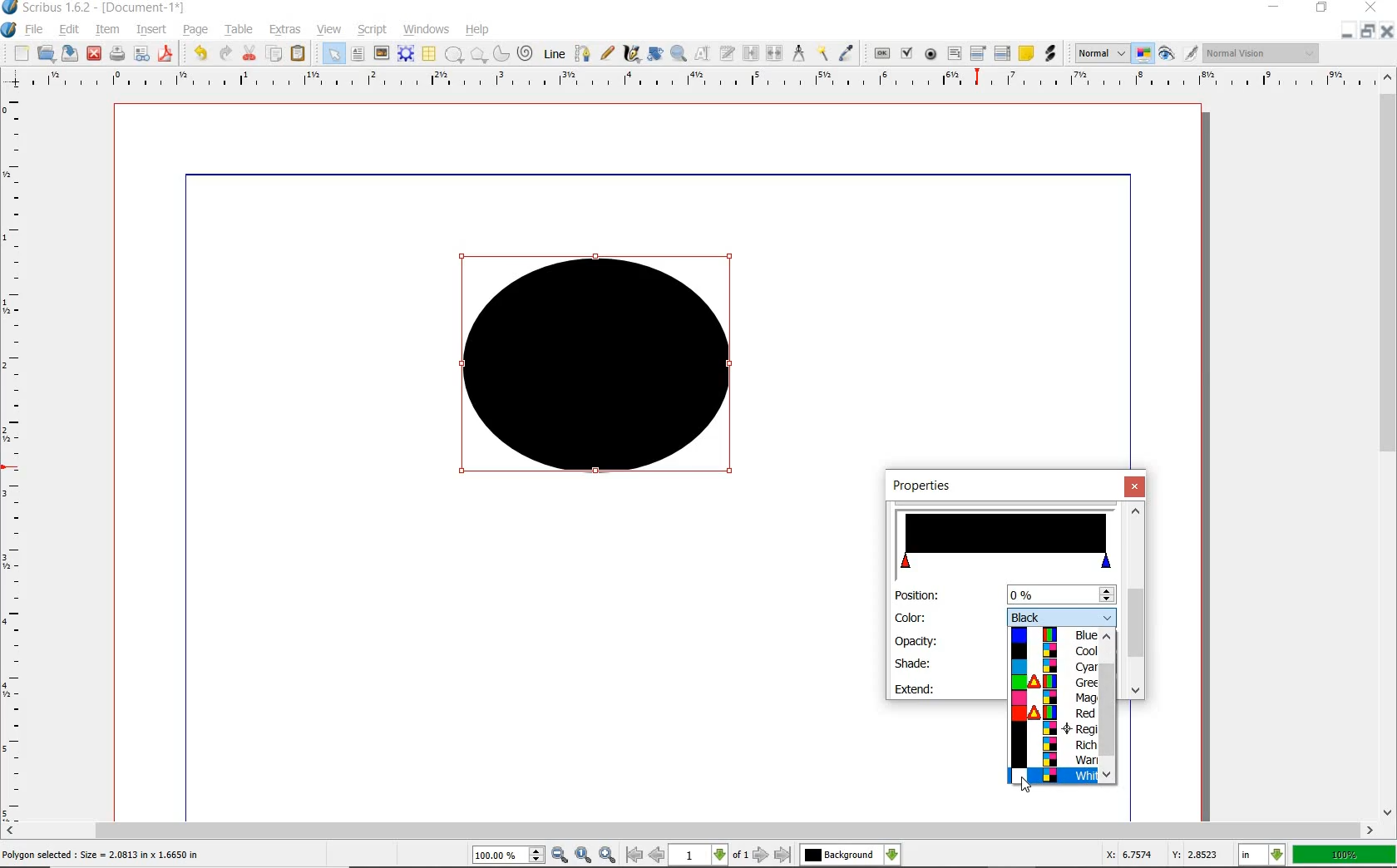 The image size is (1397, 868). Describe the element at coordinates (500, 55) in the screenshot. I see `ARC` at that location.